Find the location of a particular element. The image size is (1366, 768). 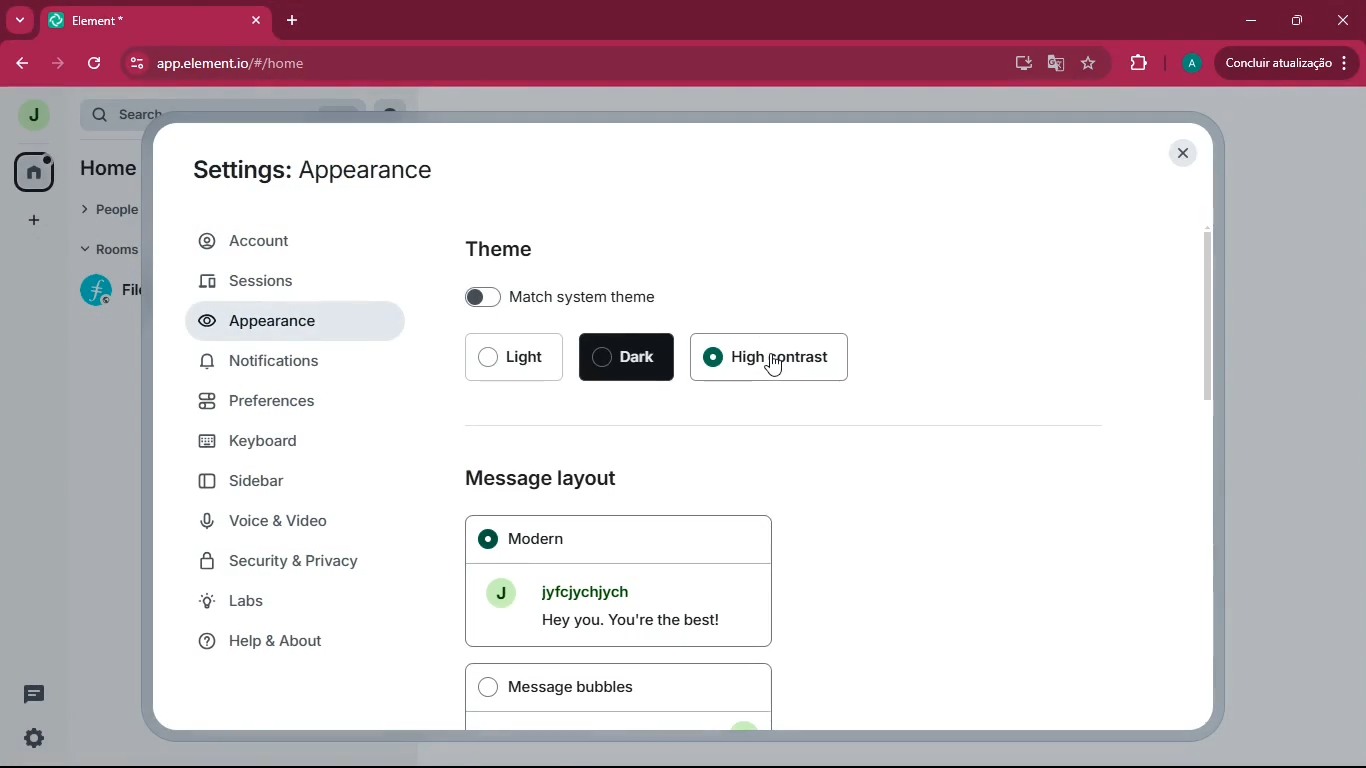

more is located at coordinates (31, 221).